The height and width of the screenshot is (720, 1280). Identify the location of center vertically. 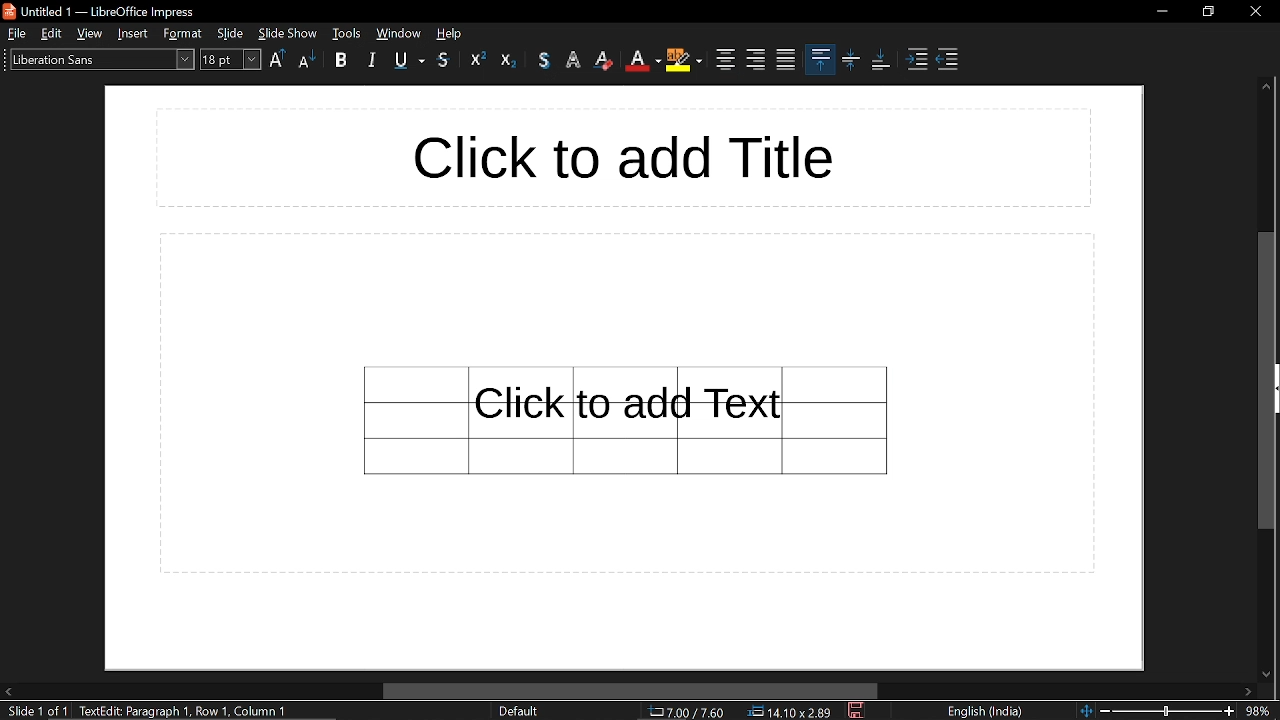
(851, 61).